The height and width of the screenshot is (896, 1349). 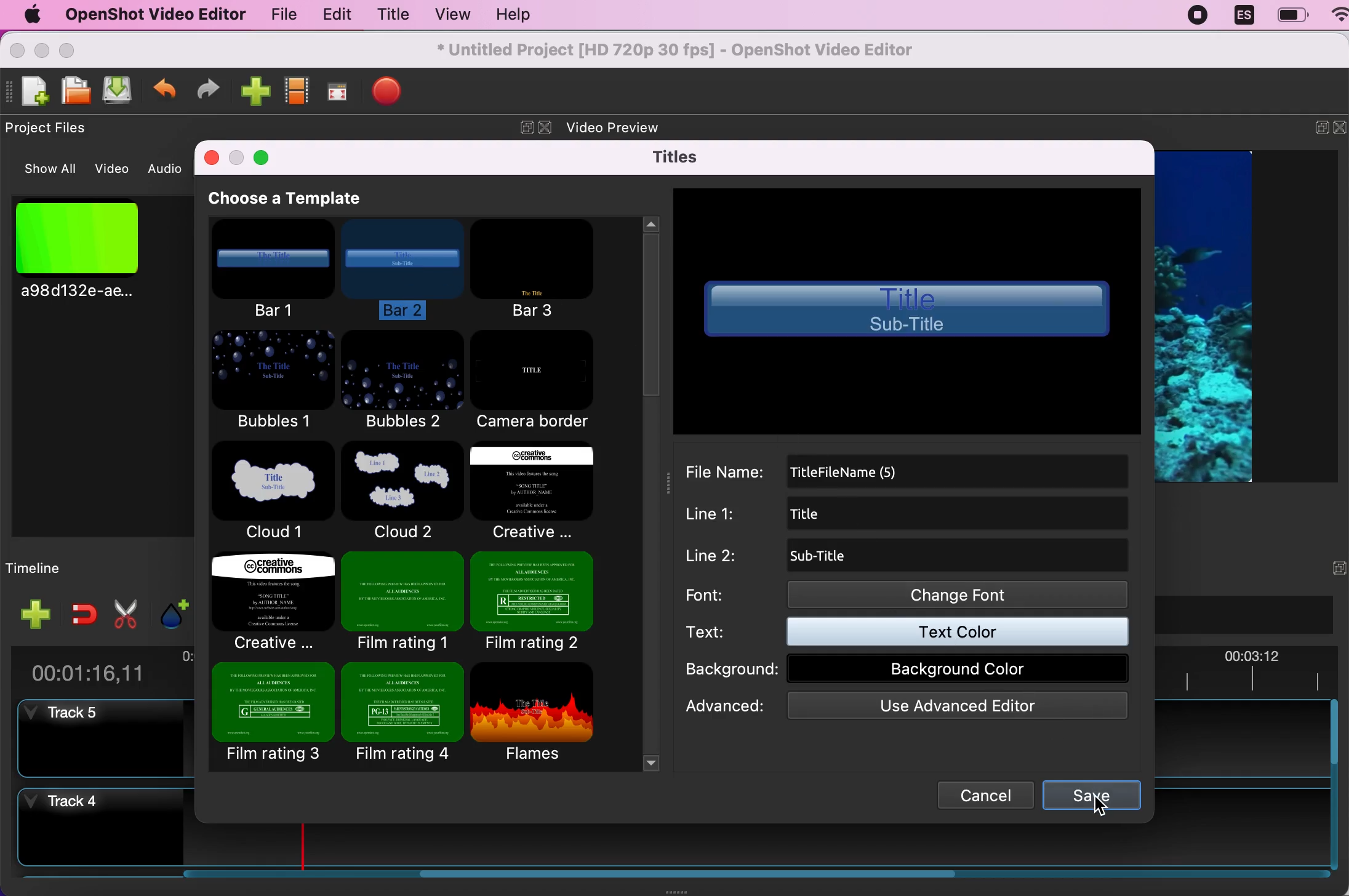 I want to click on cursor, so click(x=1087, y=807).